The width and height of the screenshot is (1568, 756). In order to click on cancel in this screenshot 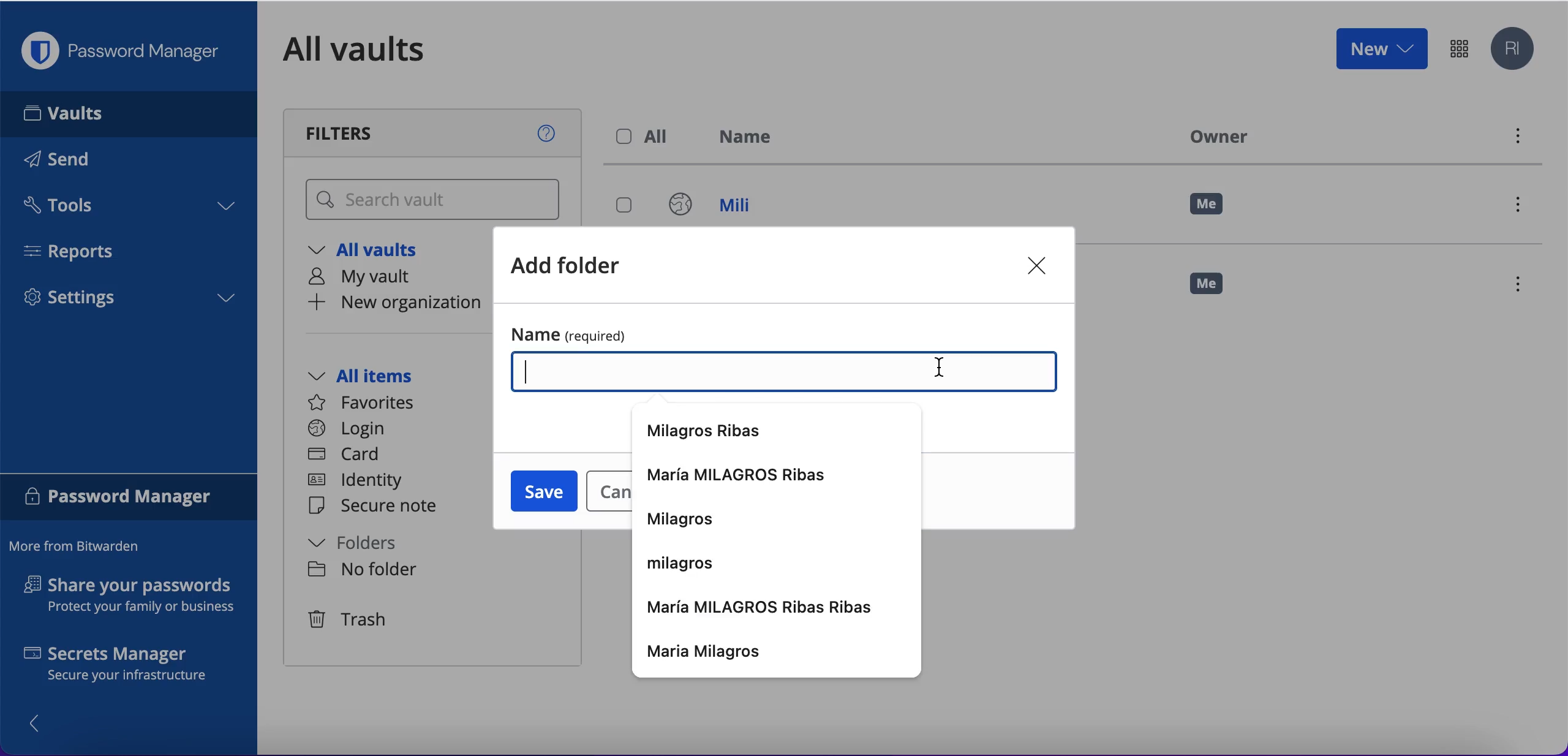, I will do `click(606, 493)`.